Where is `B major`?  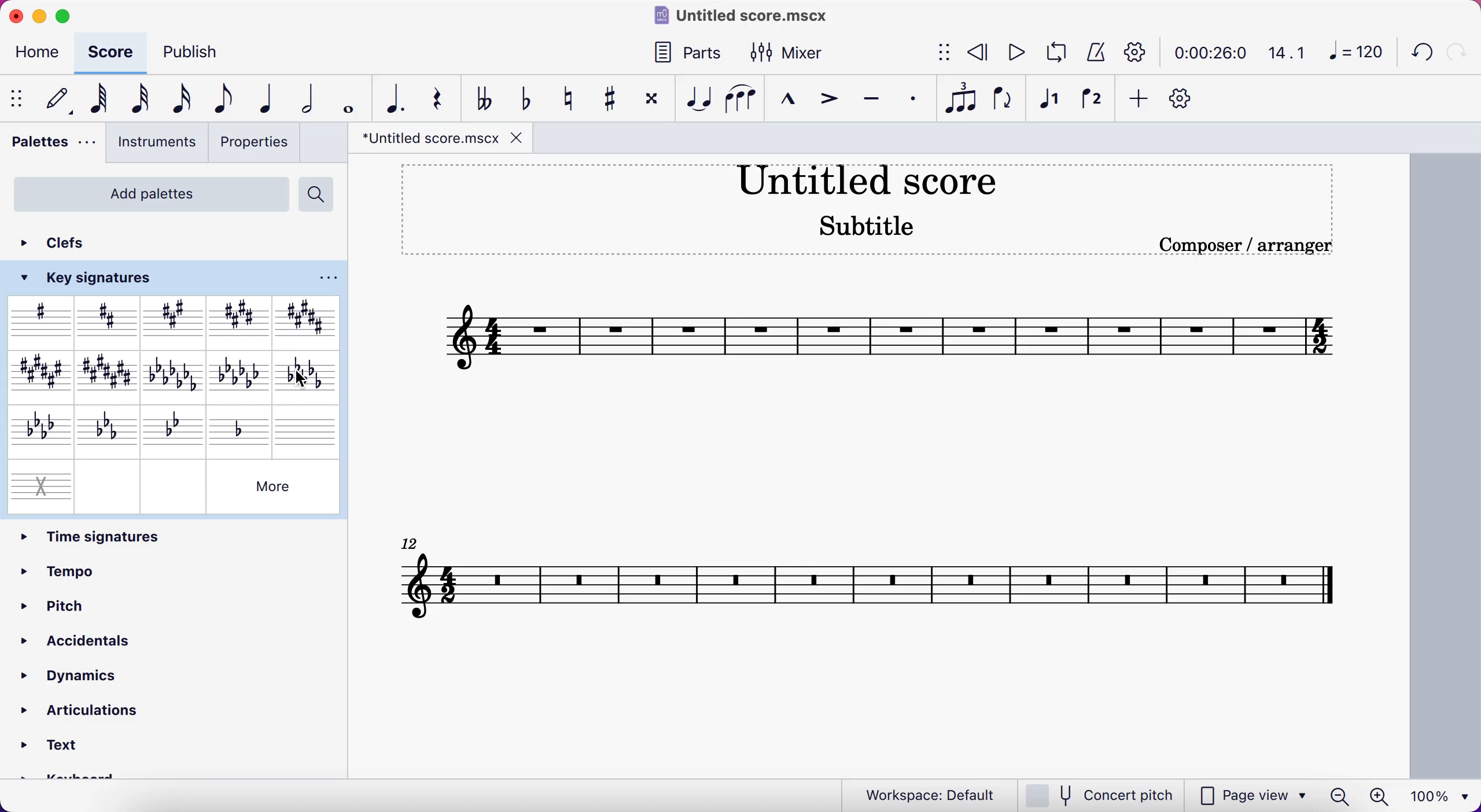 B major is located at coordinates (303, 317).